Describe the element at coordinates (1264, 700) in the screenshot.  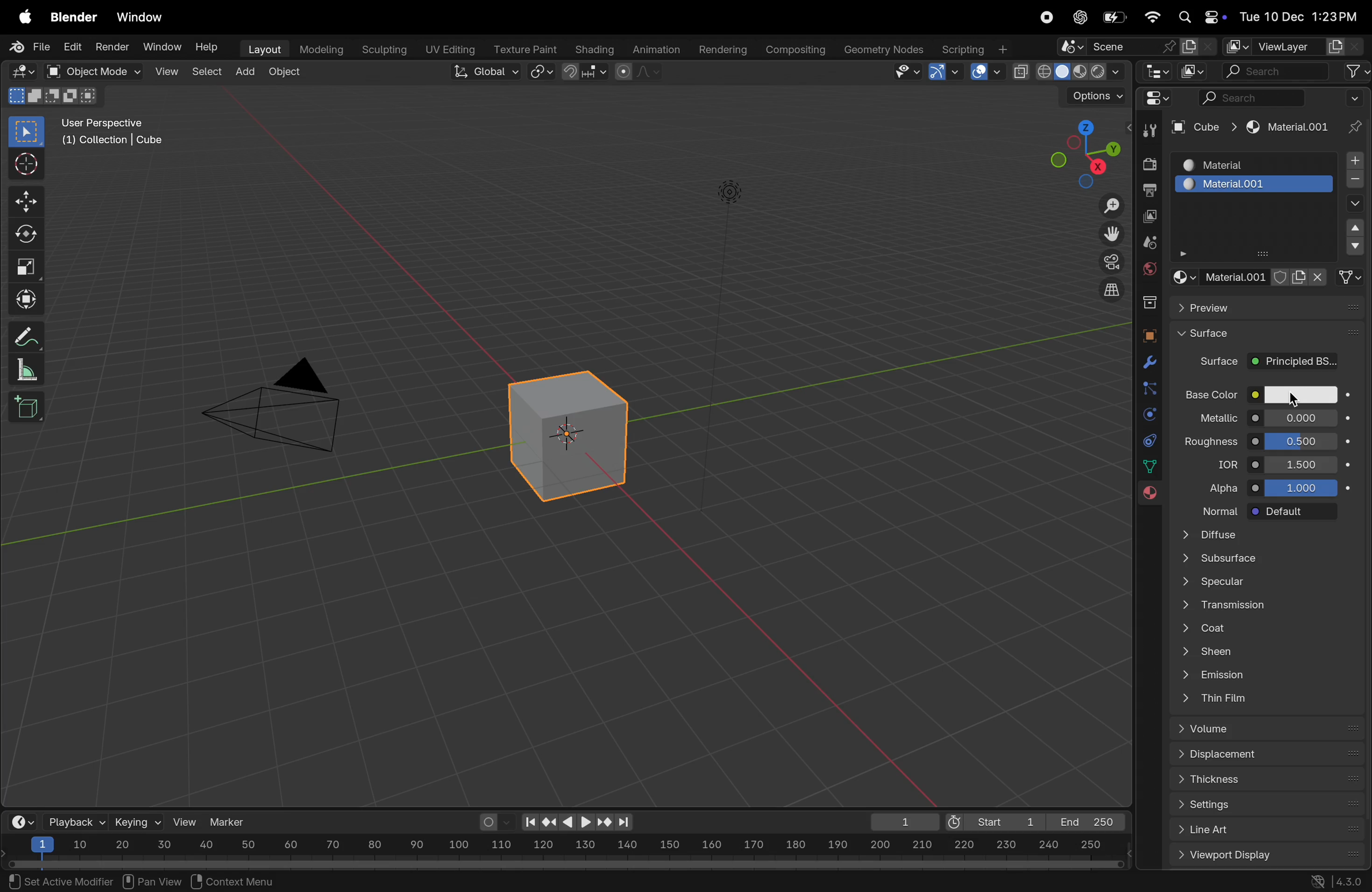
I see `thin film` at that location.